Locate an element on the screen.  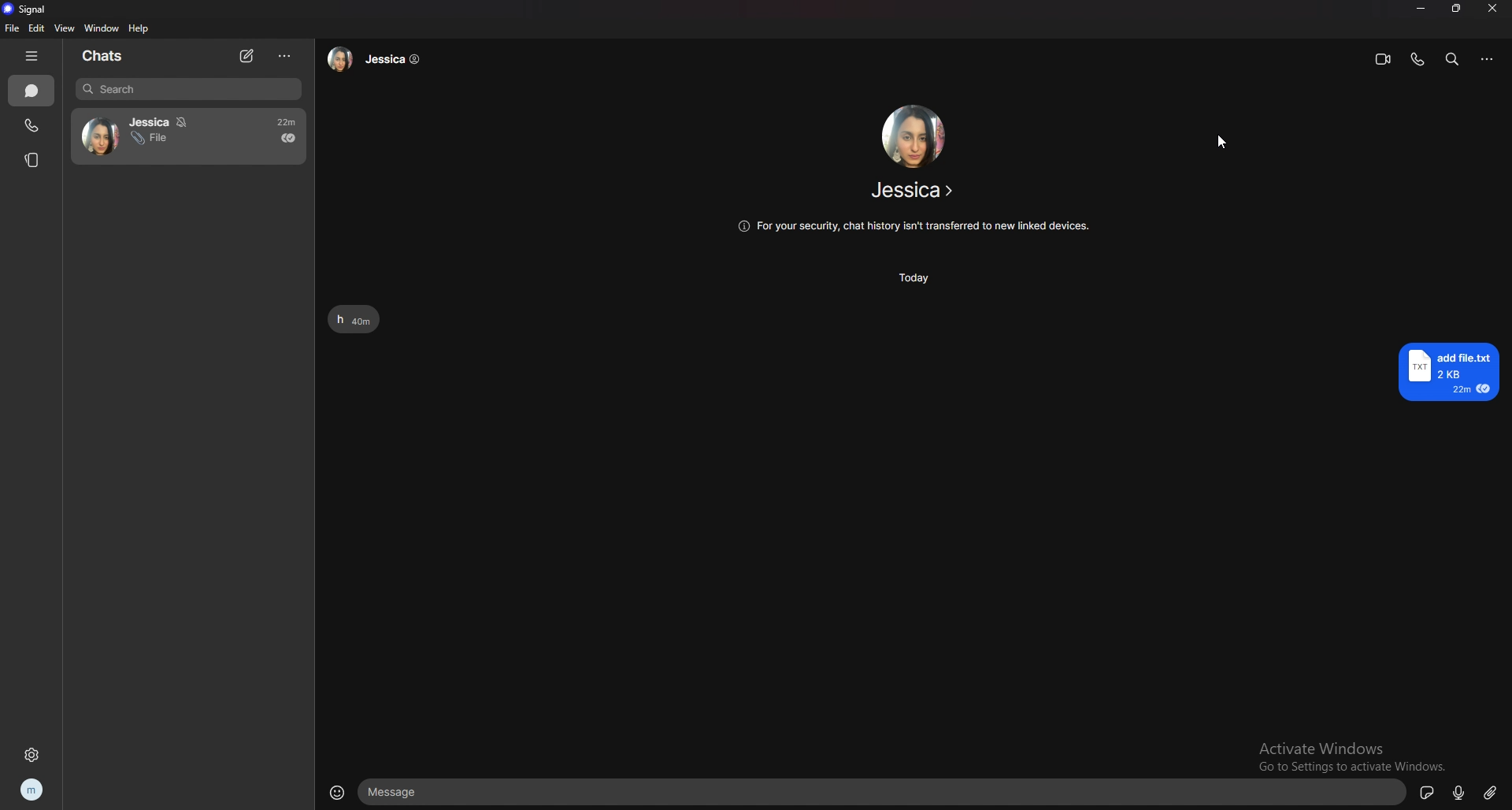
avatar is located at coordinates (97, 134).